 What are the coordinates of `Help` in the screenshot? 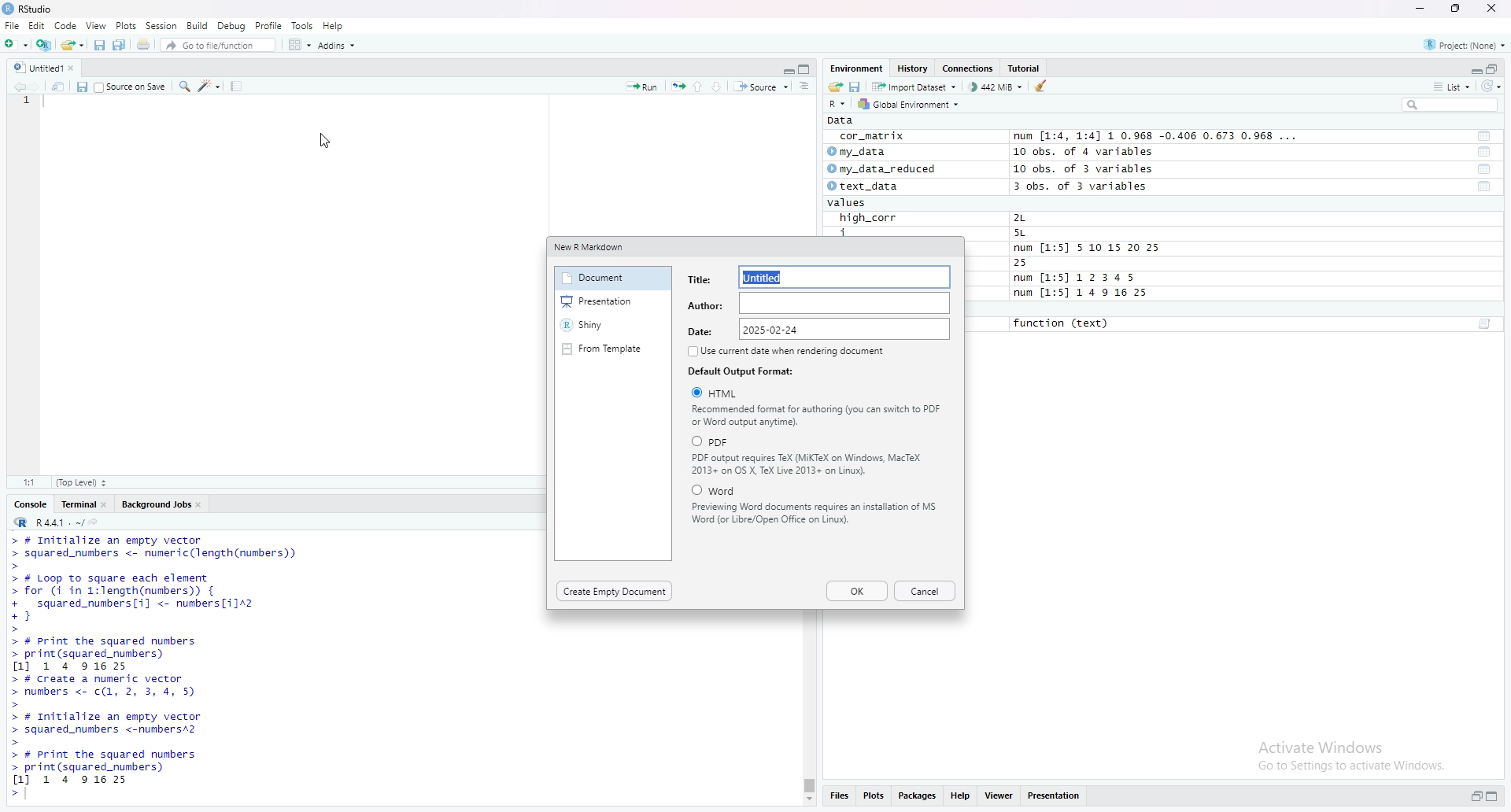 It's located at (332, 25).